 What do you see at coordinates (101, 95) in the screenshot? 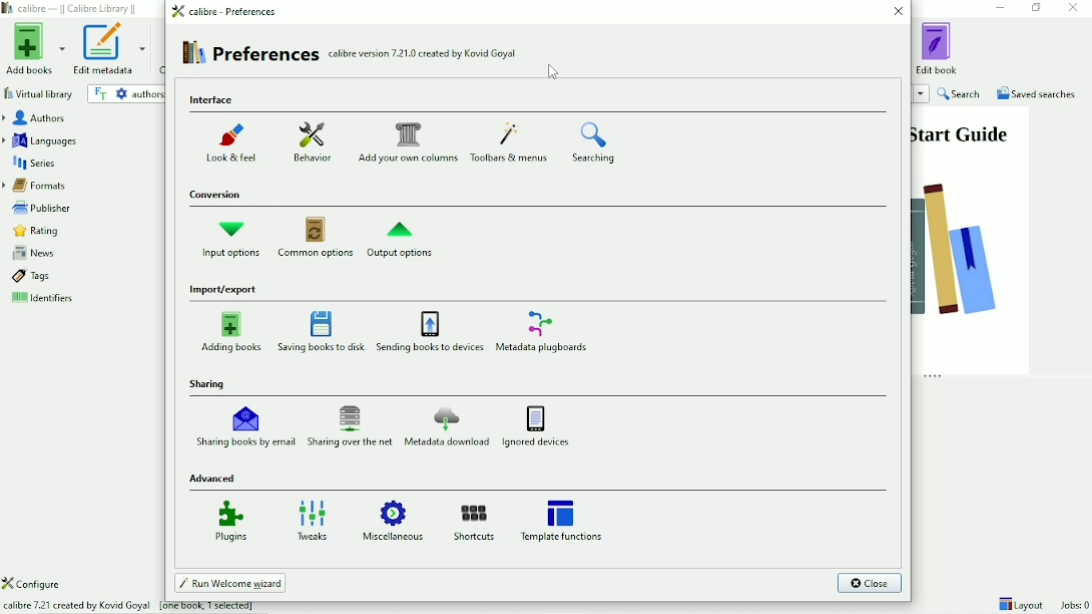
I see `full text search` at bounding box center [101, 95].